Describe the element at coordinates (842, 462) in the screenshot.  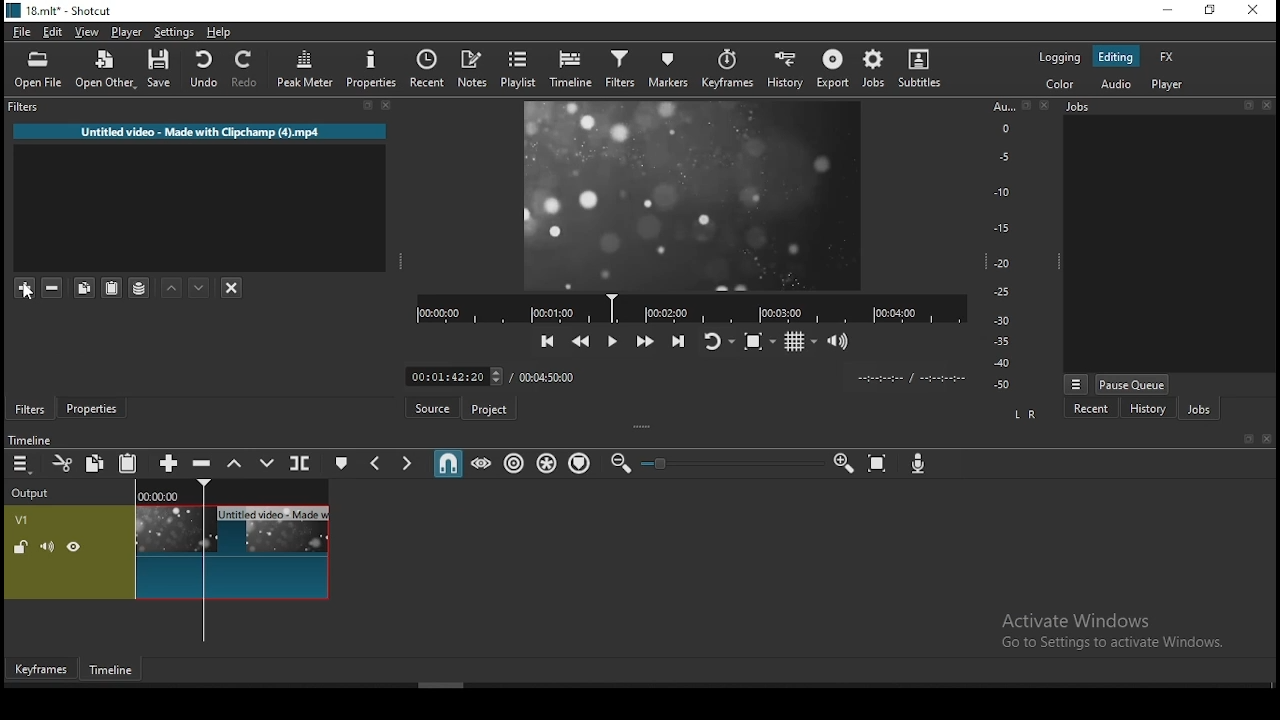
I see `zoom timeline in` at that location.